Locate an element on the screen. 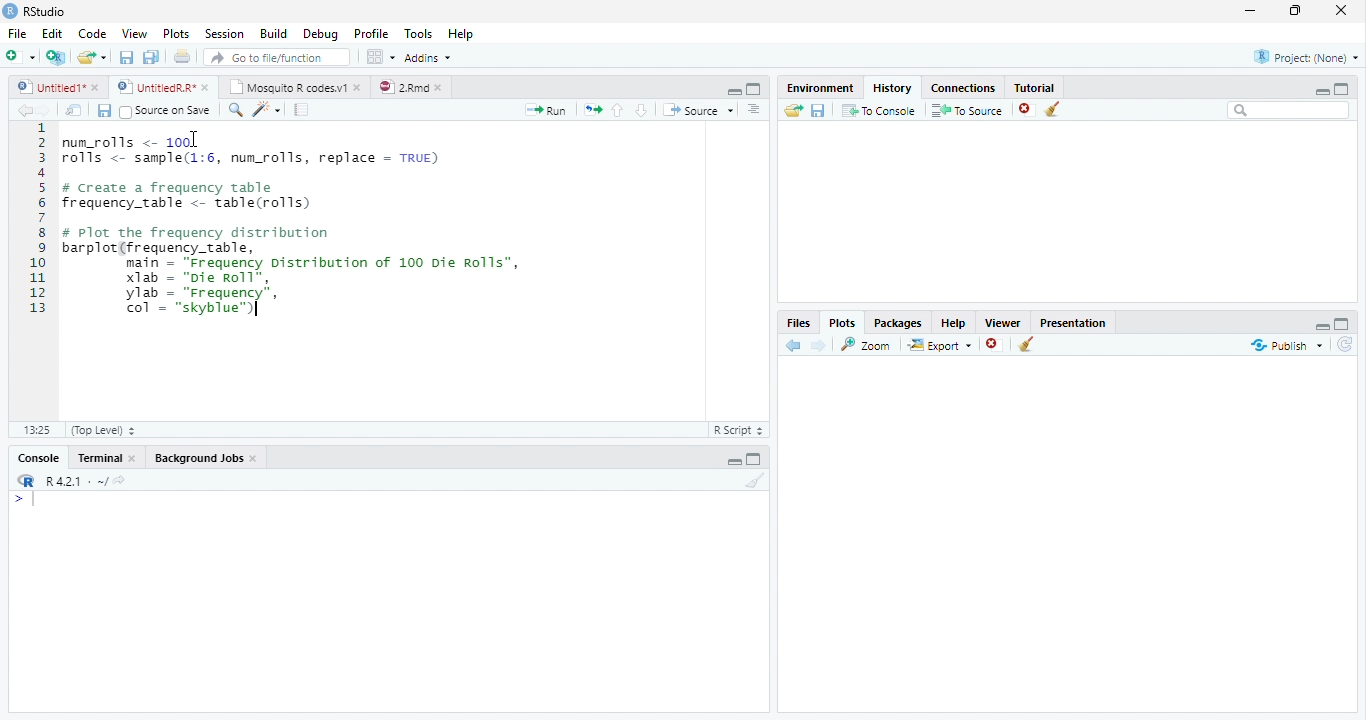 The height and width of the screenshot is (720, 1366). Console is located at coordinates (38, 457).